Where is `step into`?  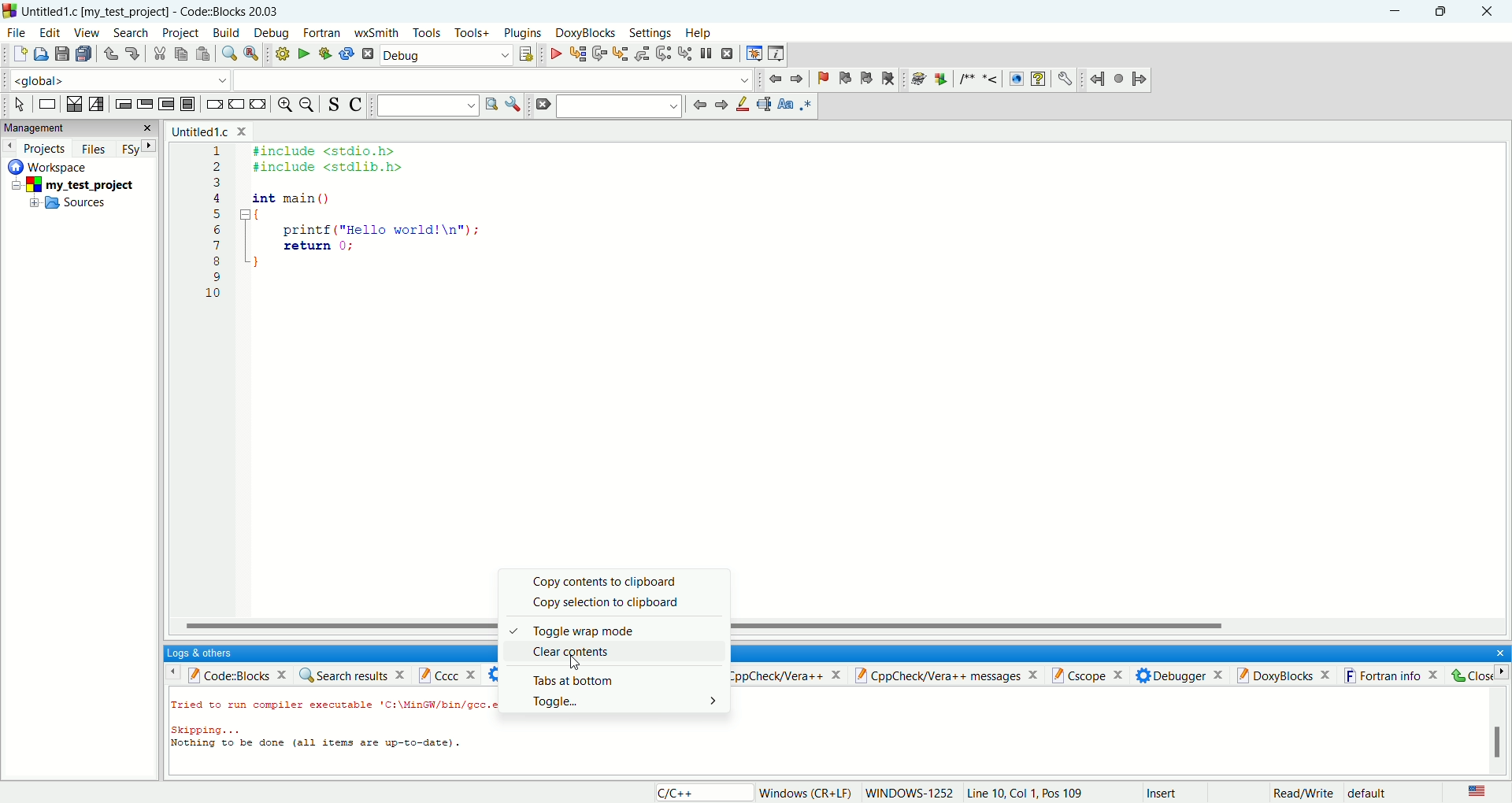
step into is located at coordinates (621, 53).